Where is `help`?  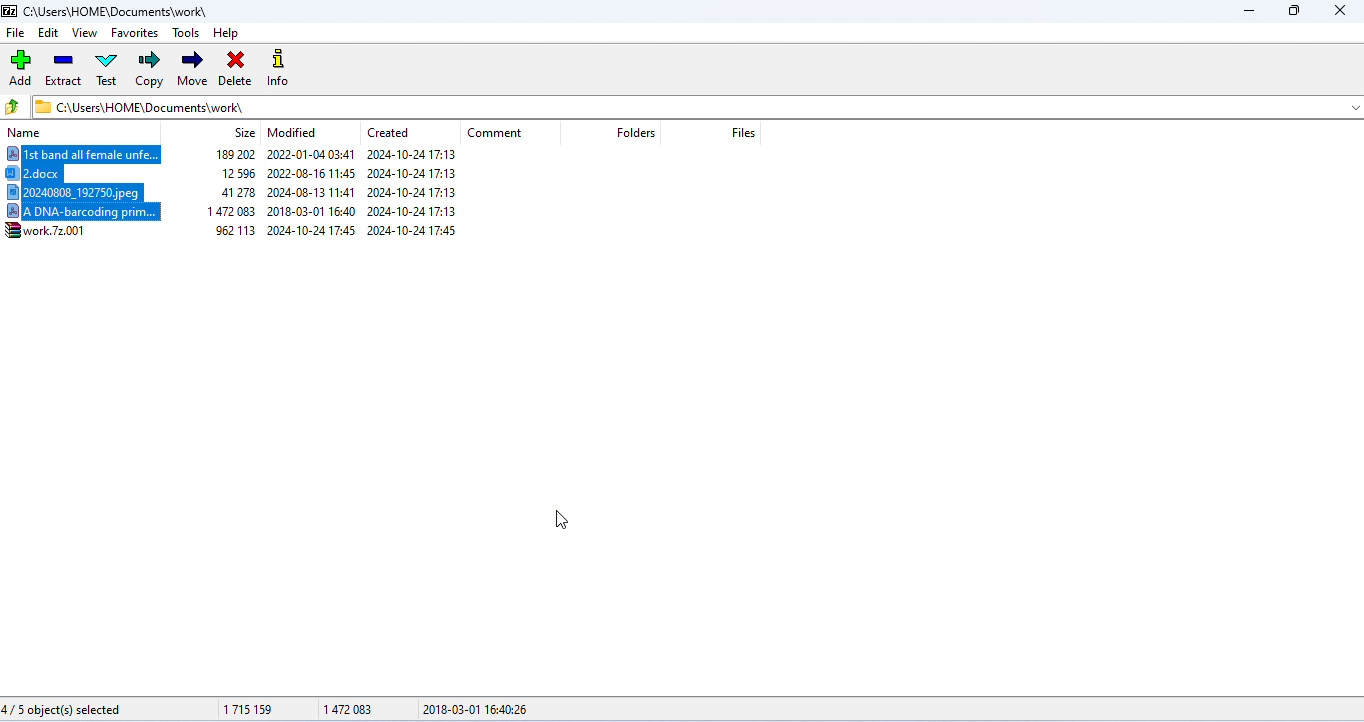
help is located at coordinates (226, 34).